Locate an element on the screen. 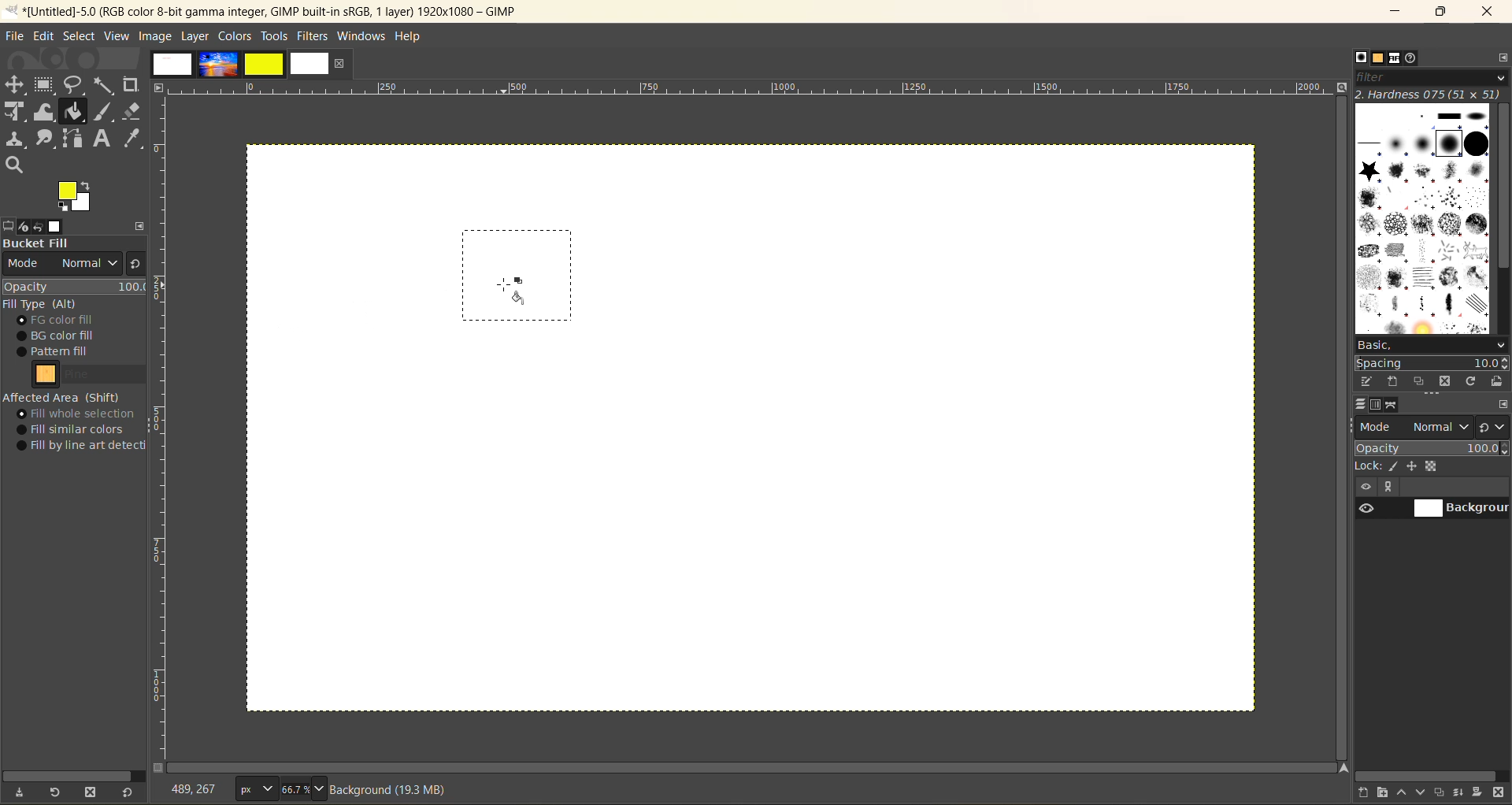 The image size is (1512, 805). vertical scroll bar is located at coordinates (1499, 201).